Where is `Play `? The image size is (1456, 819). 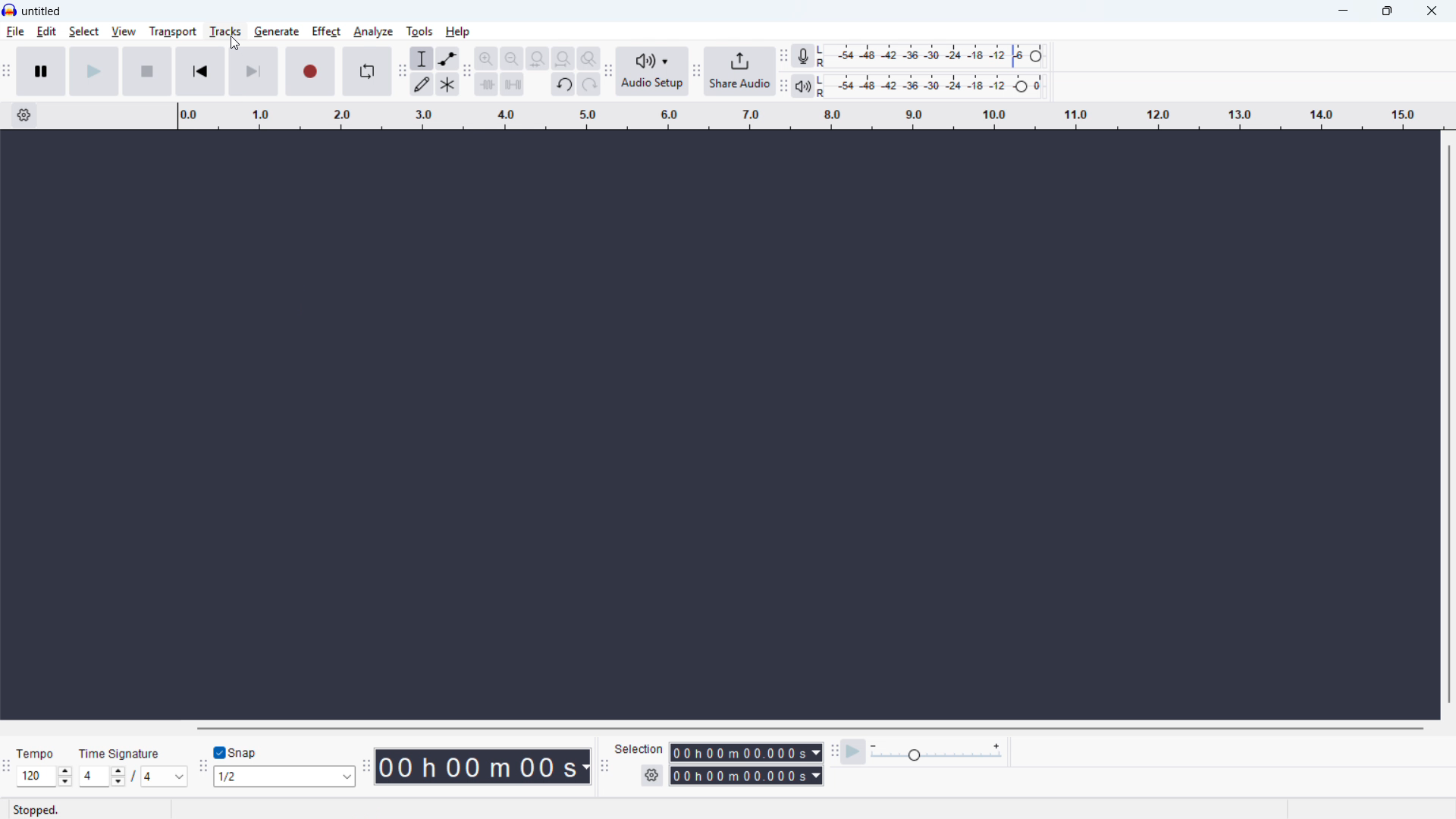
Play  is located at coordinates (96, 71).